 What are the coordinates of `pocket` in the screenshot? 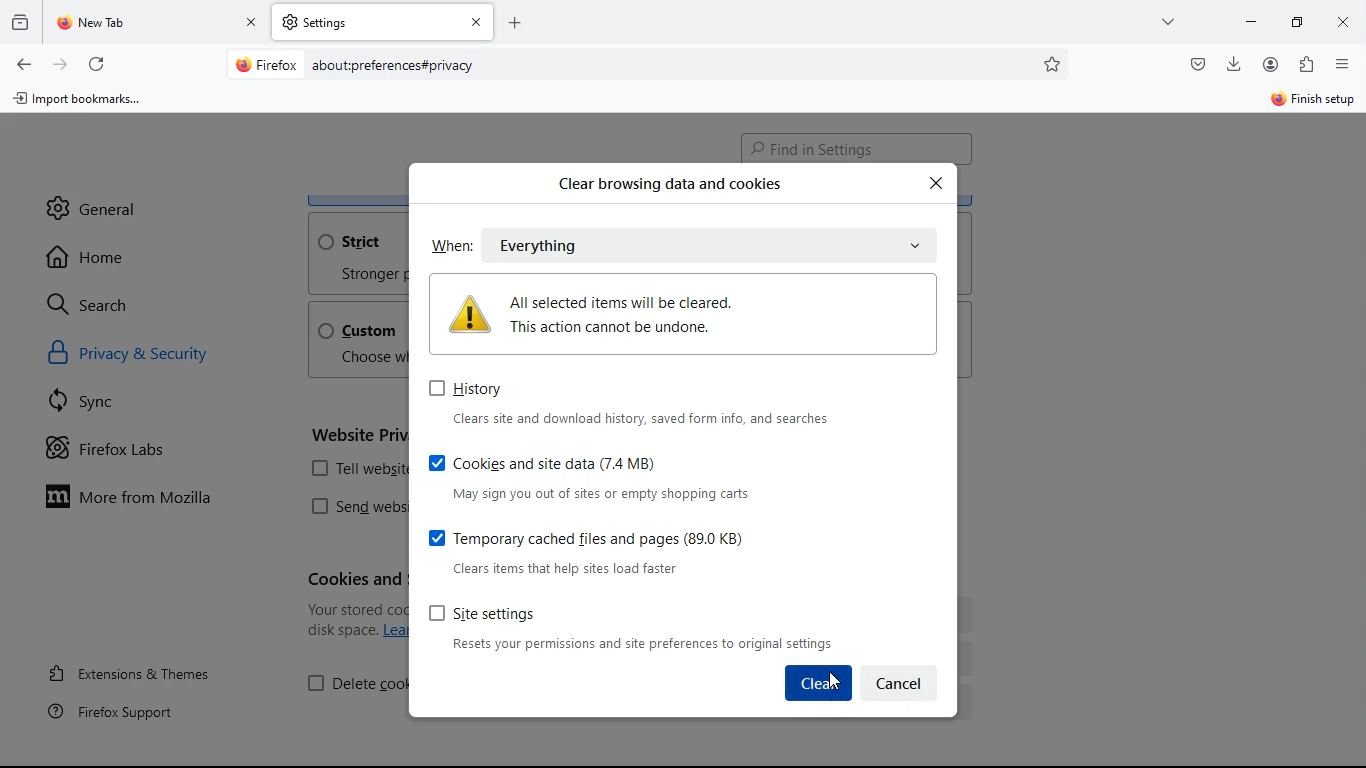 It's located at (1196, 63).